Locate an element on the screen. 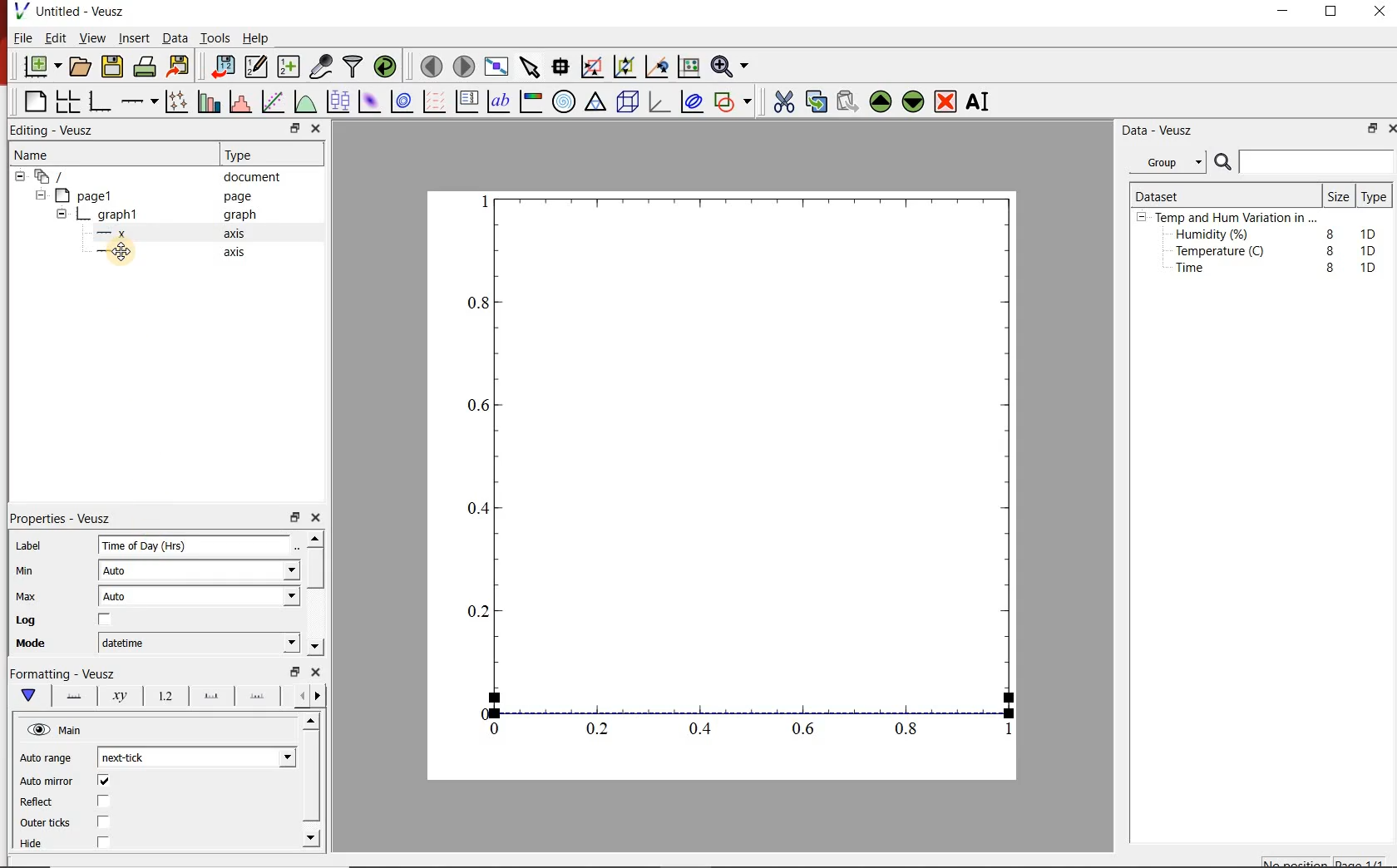 This screenshot has width=1397, height=868. 0.8 is located at coordinates (911, 732).